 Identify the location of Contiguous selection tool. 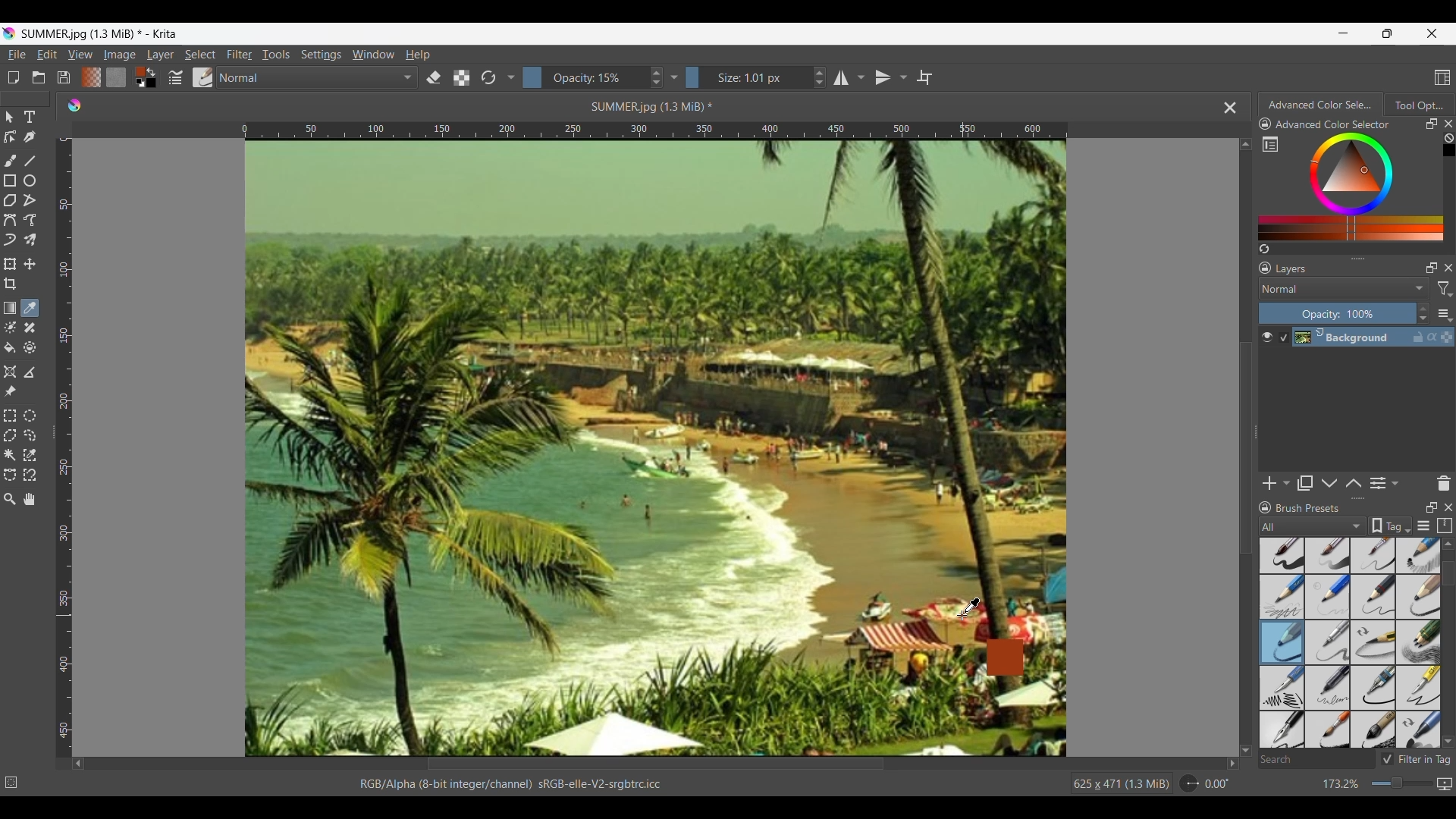
(9, 456).